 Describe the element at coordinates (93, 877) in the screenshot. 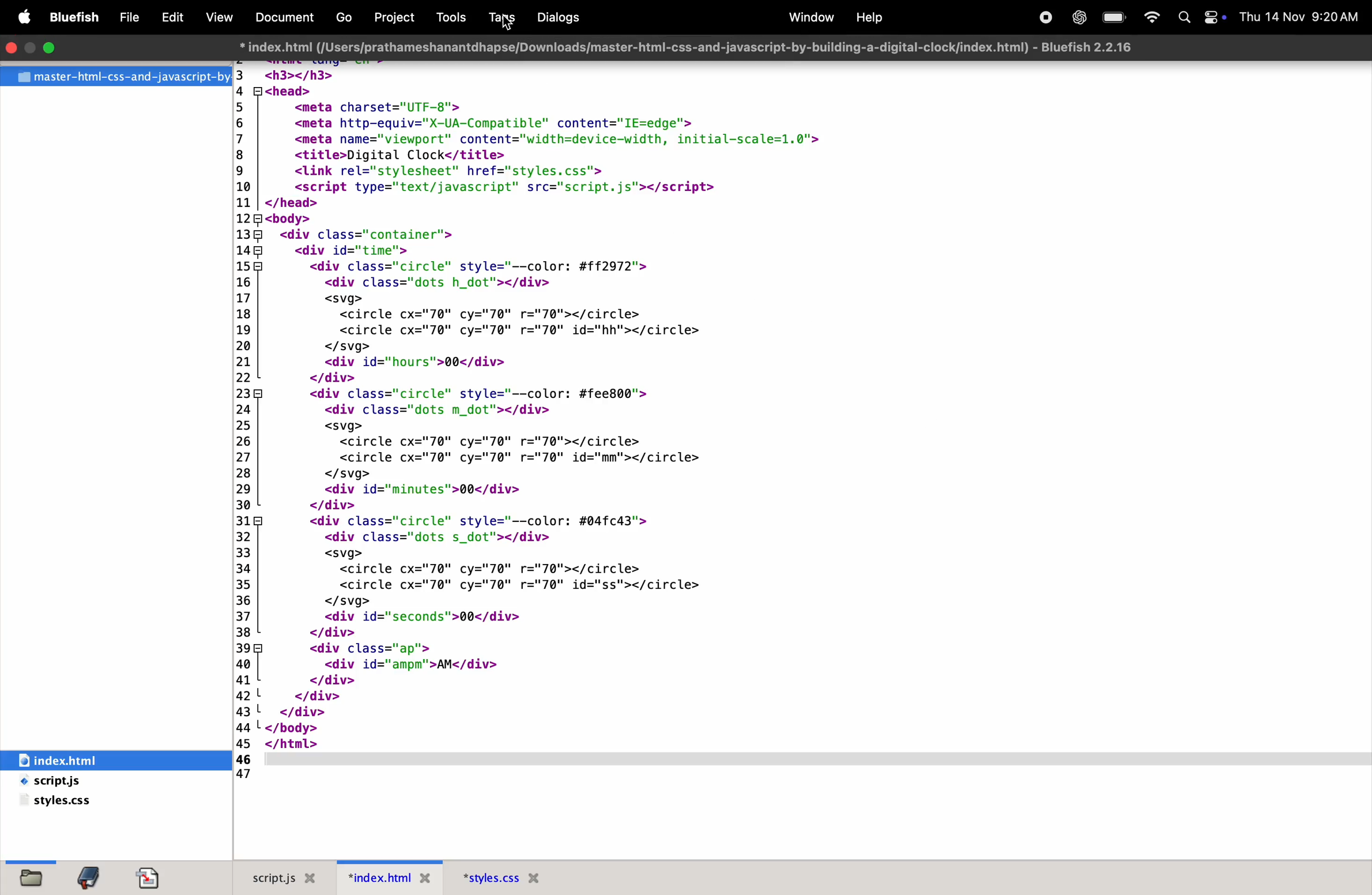

I see `bookmark` at that location.